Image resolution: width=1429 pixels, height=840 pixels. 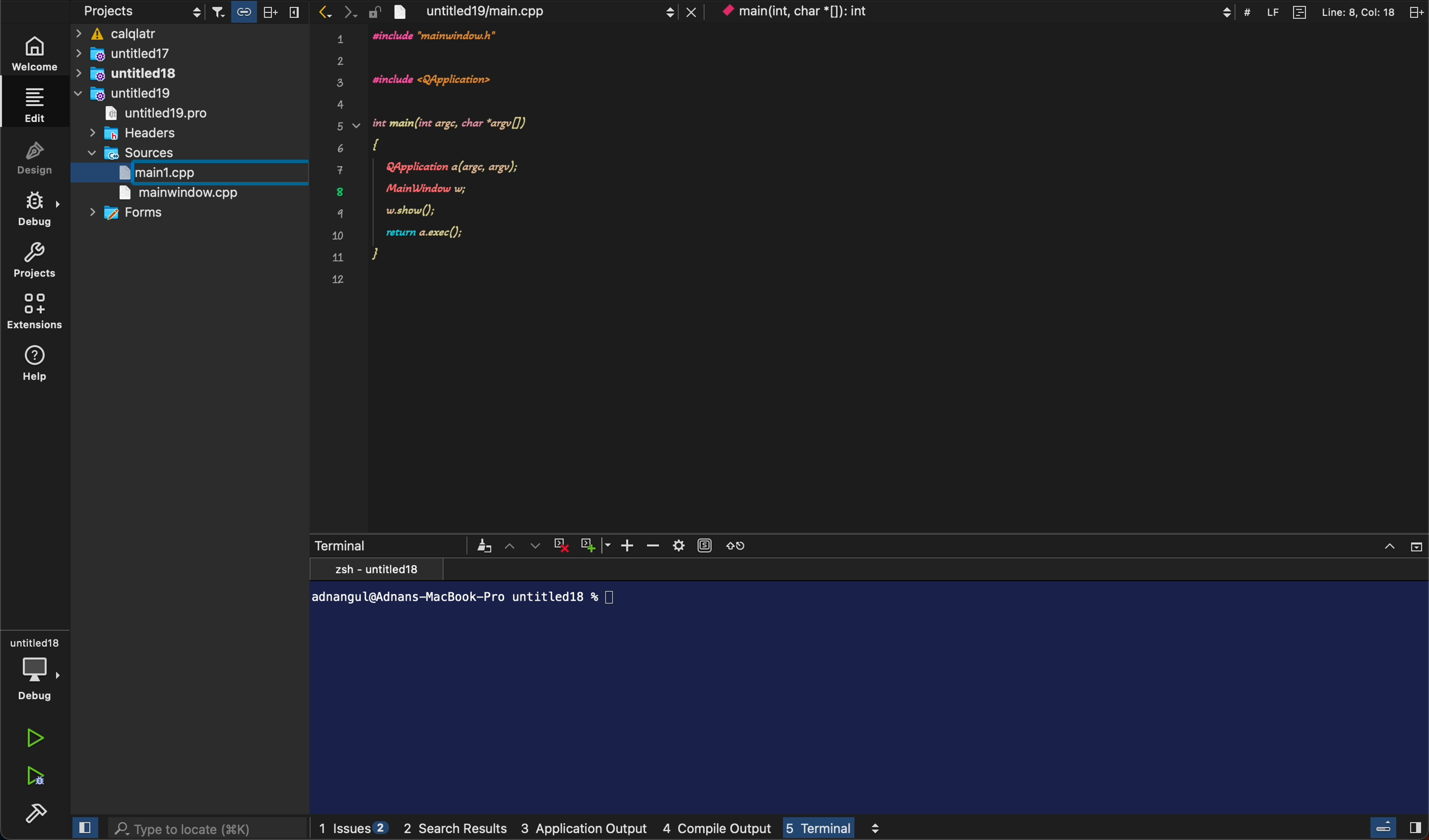 What do you see at coordinates (134, 74) in the screenshot?
I see `untitlewd18` at bounding box center [134, 74].